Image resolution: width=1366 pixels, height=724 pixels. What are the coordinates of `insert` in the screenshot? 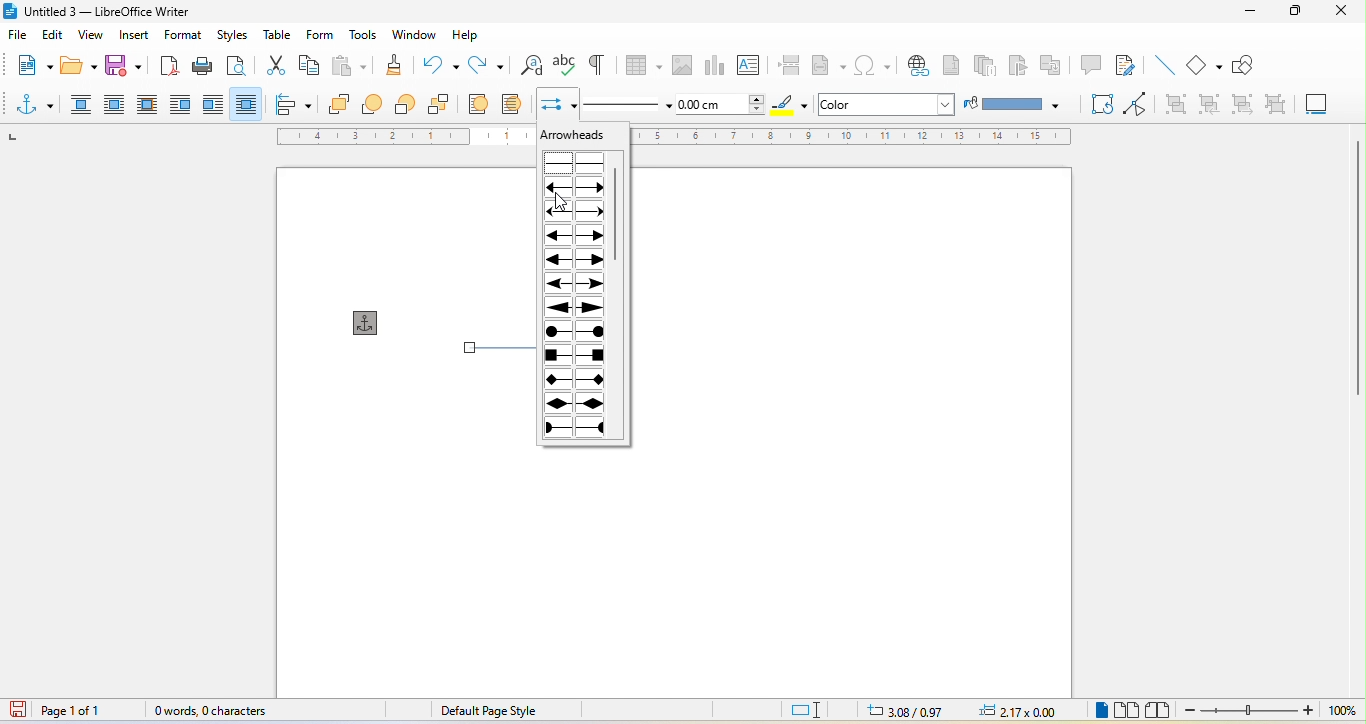 It's located at (135, 38).